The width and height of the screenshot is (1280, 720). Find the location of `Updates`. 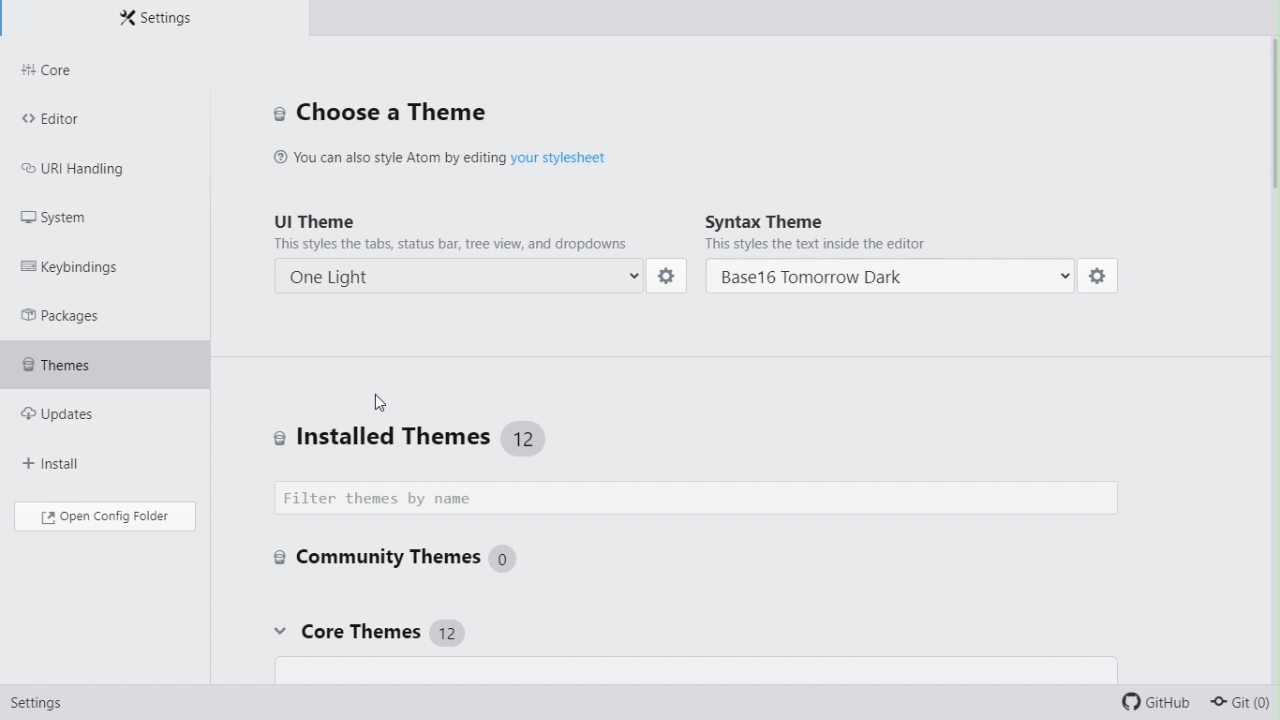

Updates is located at coordinates (74, 416).